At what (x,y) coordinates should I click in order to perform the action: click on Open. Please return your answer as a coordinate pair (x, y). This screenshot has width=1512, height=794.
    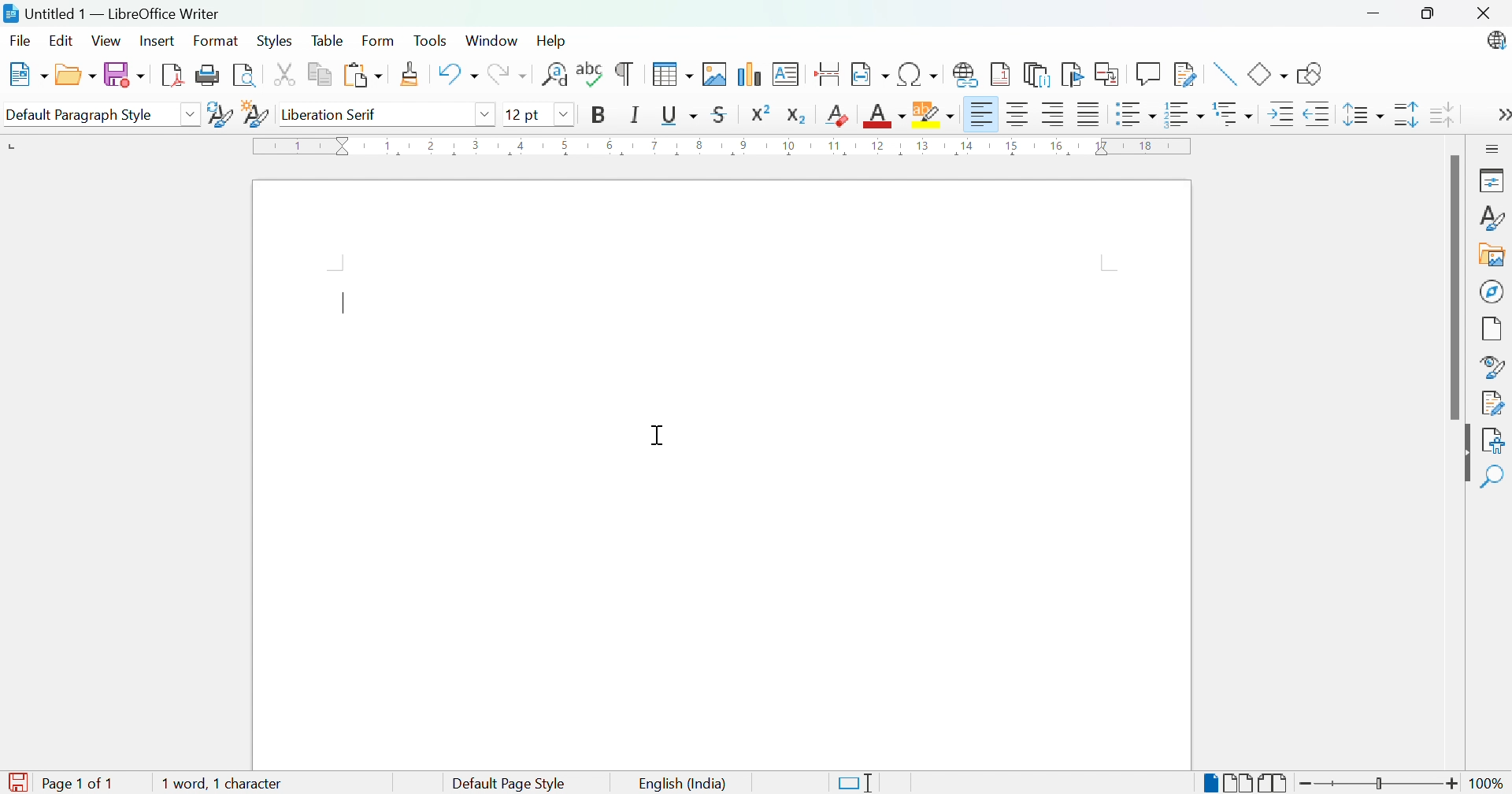
    Looking at the image, I should click on (76, 76).